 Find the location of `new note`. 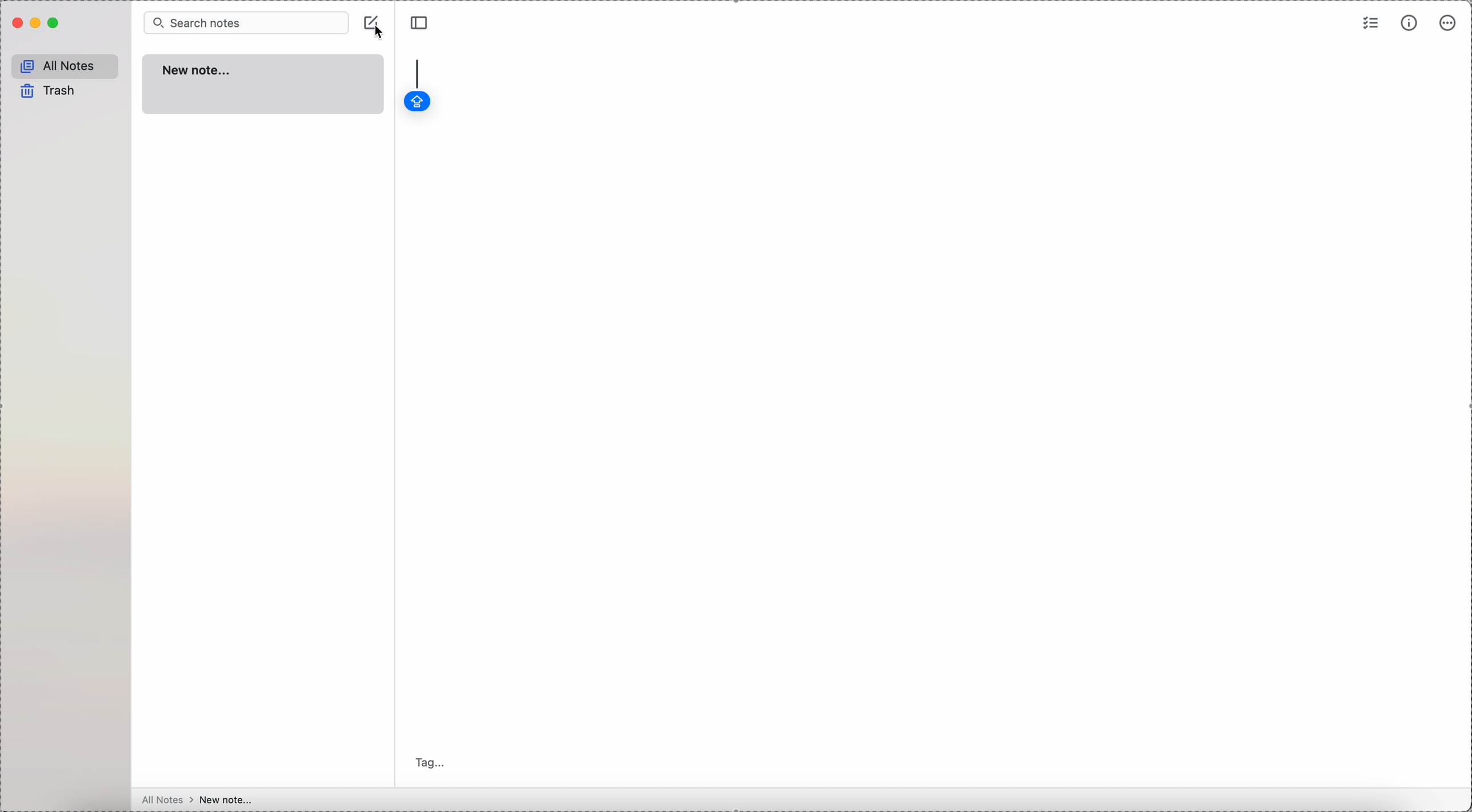

new note is located at coordinates (263, 85).